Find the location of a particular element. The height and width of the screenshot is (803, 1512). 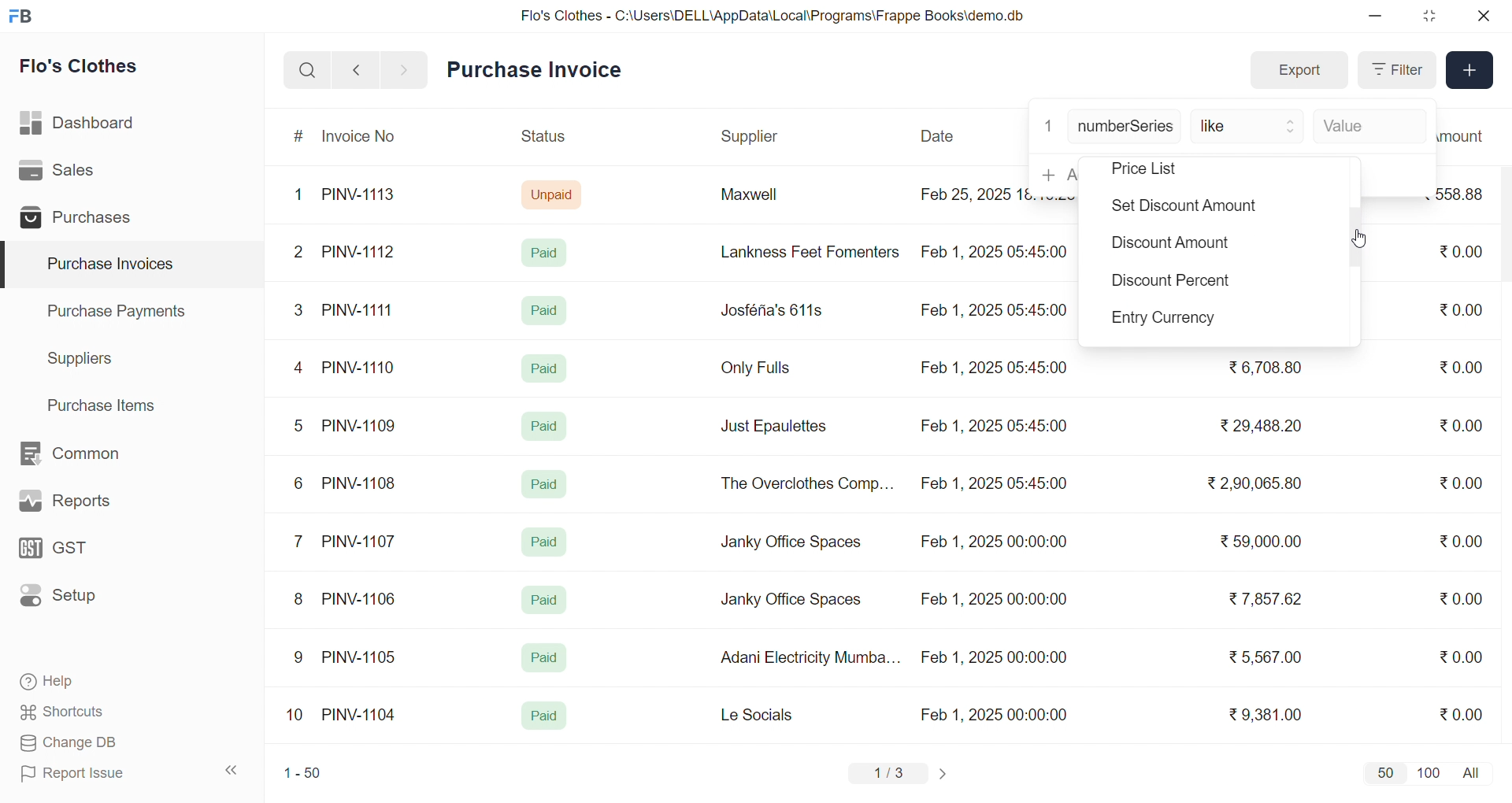

Paid is located at coordinates (545, 600).